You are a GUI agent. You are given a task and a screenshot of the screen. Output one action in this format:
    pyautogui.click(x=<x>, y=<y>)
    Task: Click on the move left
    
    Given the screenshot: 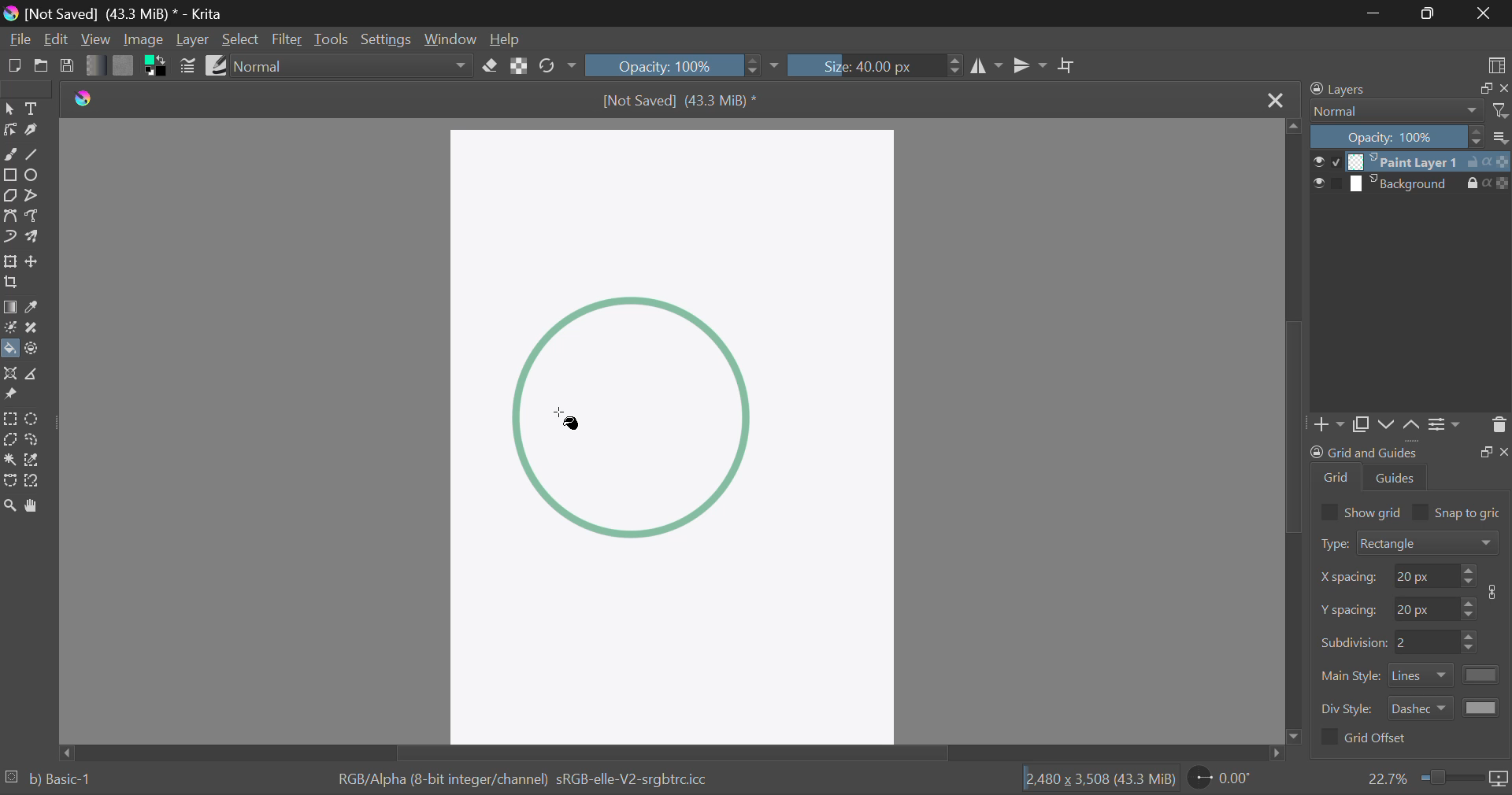 What is the action you would take?
    pyautogui.click(x=65, y=749)
    